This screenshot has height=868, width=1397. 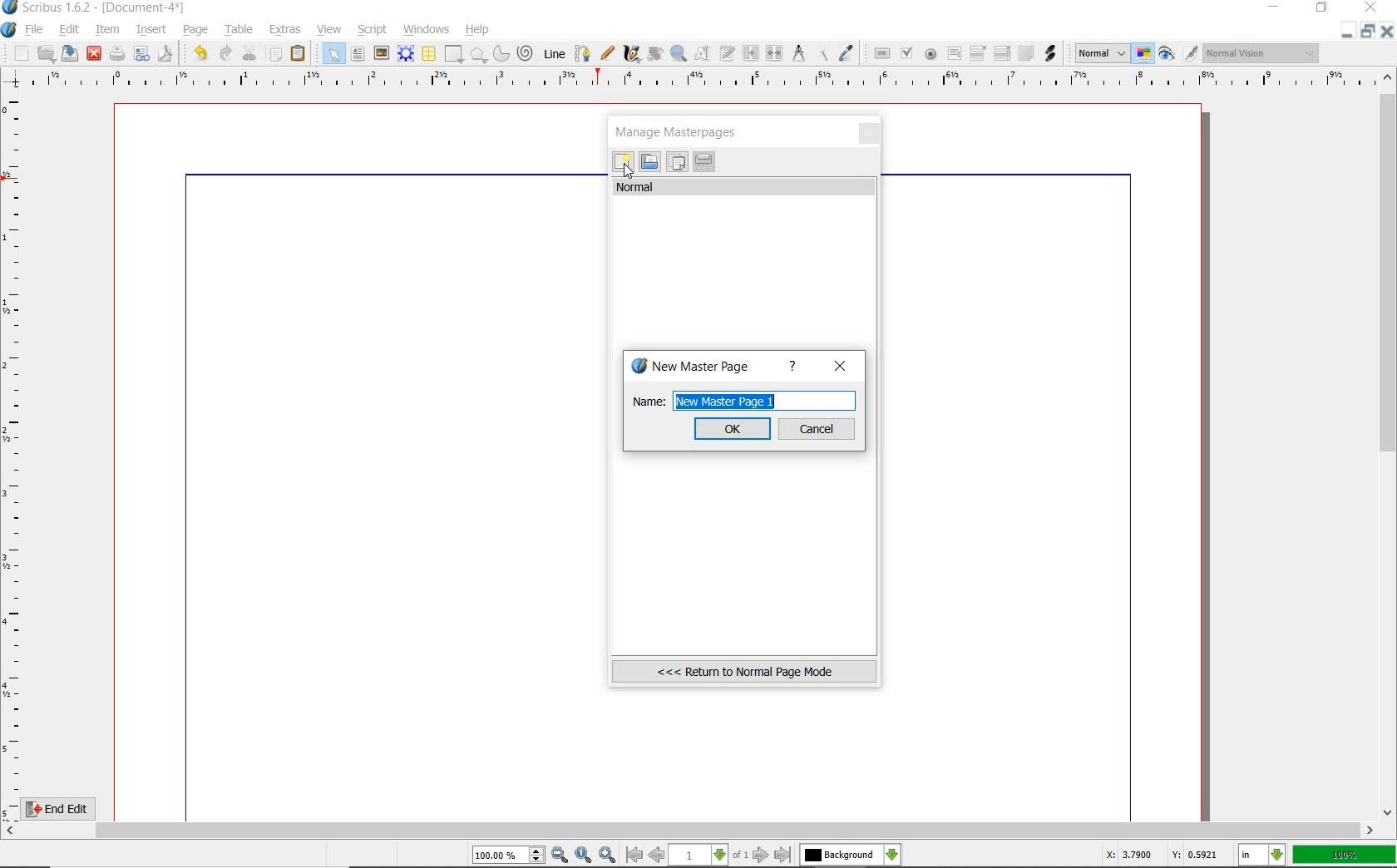 I want to click on zoom out, so click(x=560, y=856).